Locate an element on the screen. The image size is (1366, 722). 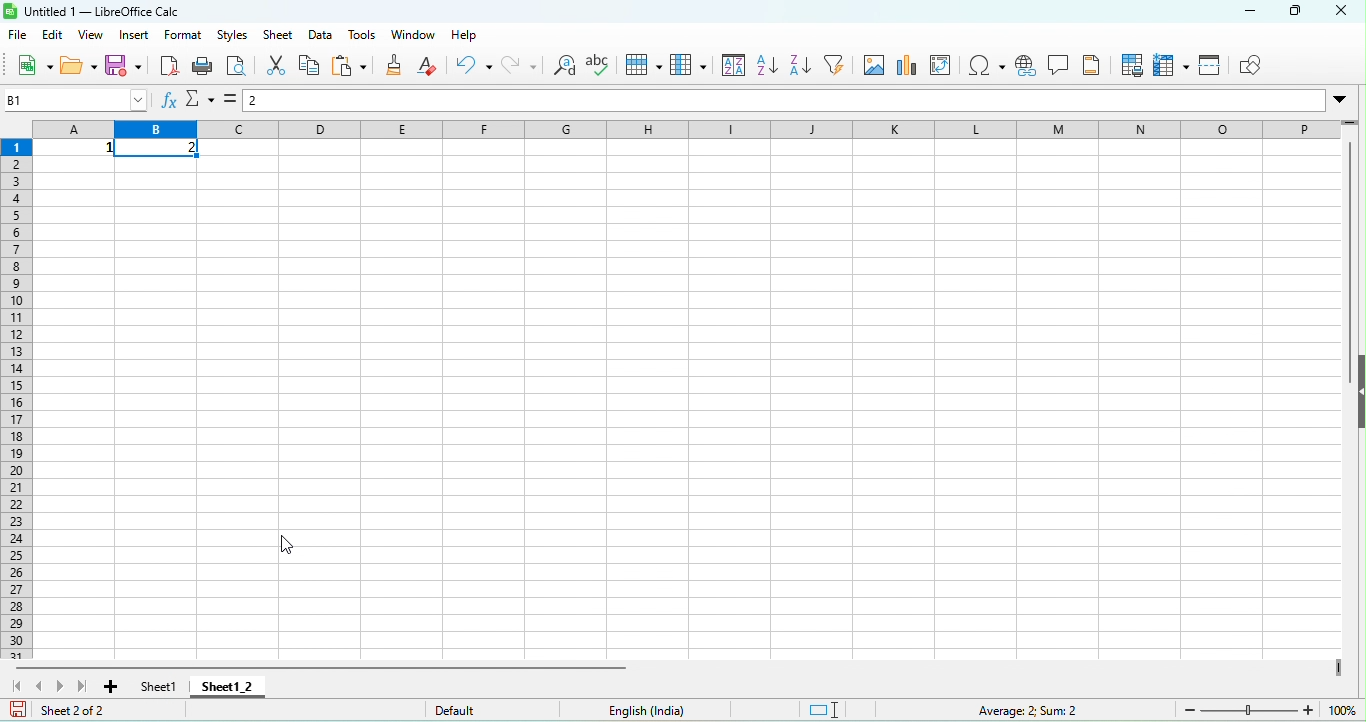
print is located at coordinates (208, 68).